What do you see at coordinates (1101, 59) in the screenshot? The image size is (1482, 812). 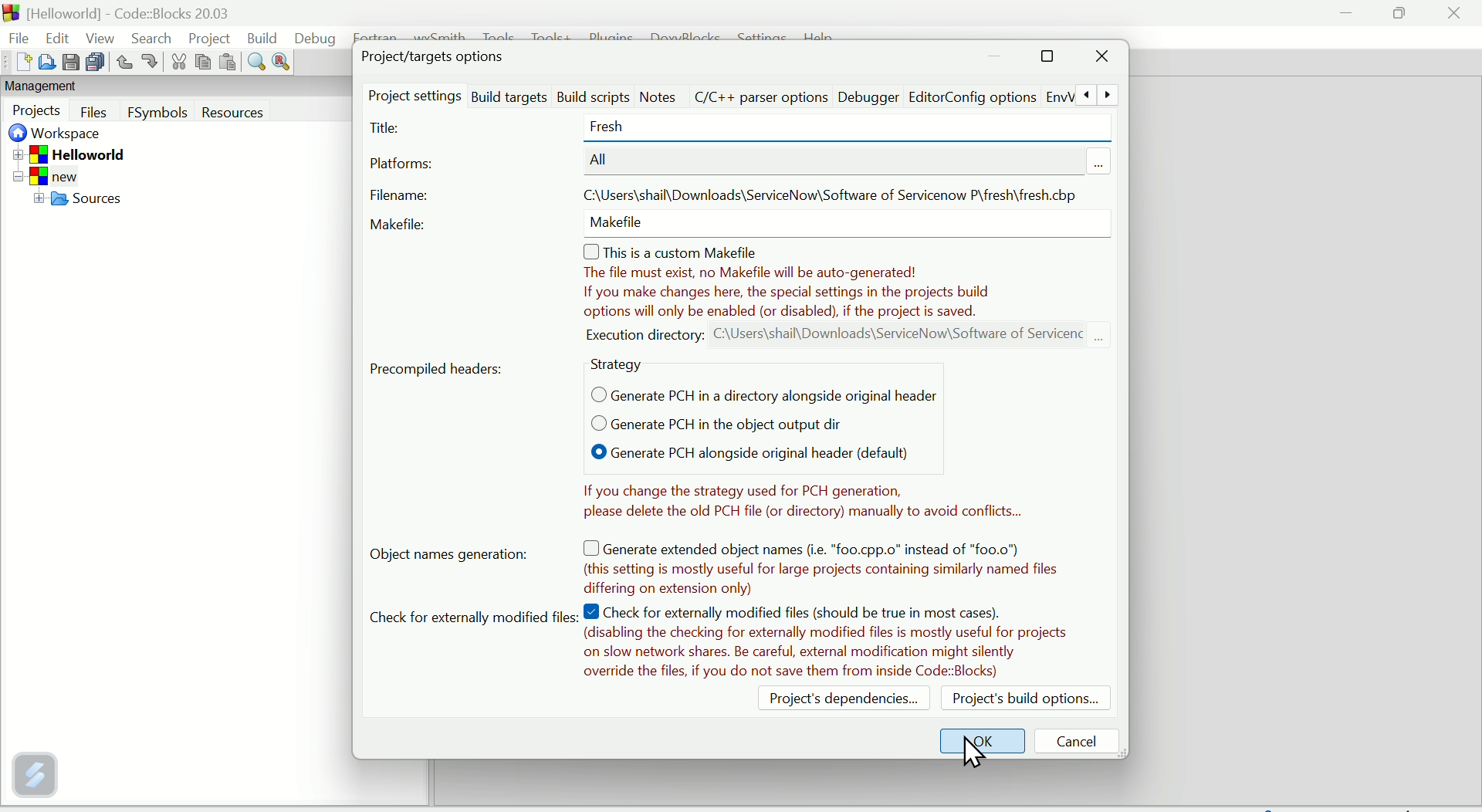 I see `Close` at bounding box center [1101, 59].